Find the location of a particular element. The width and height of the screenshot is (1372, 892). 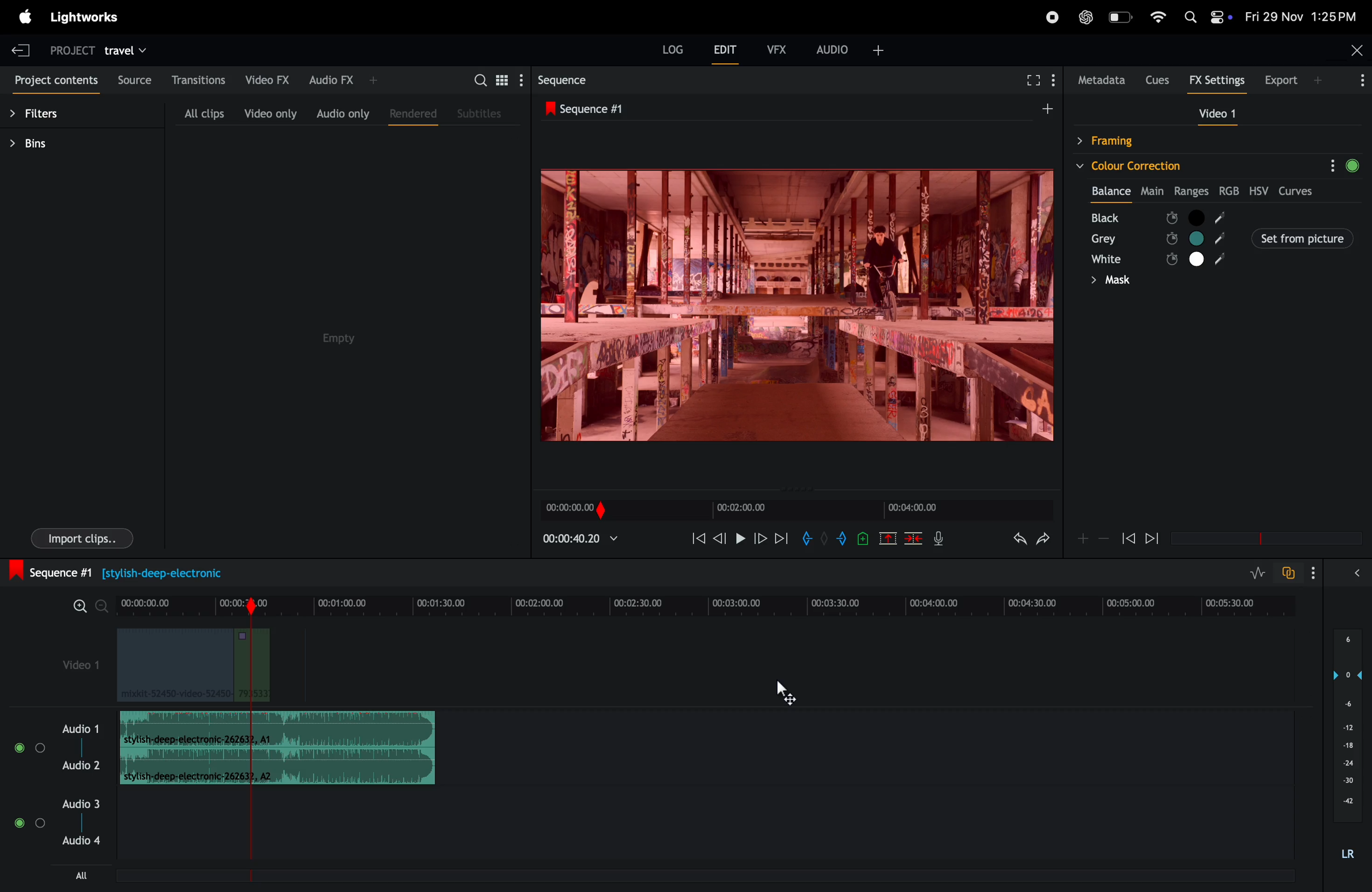

time frame is located at coordinates (1262, 539).